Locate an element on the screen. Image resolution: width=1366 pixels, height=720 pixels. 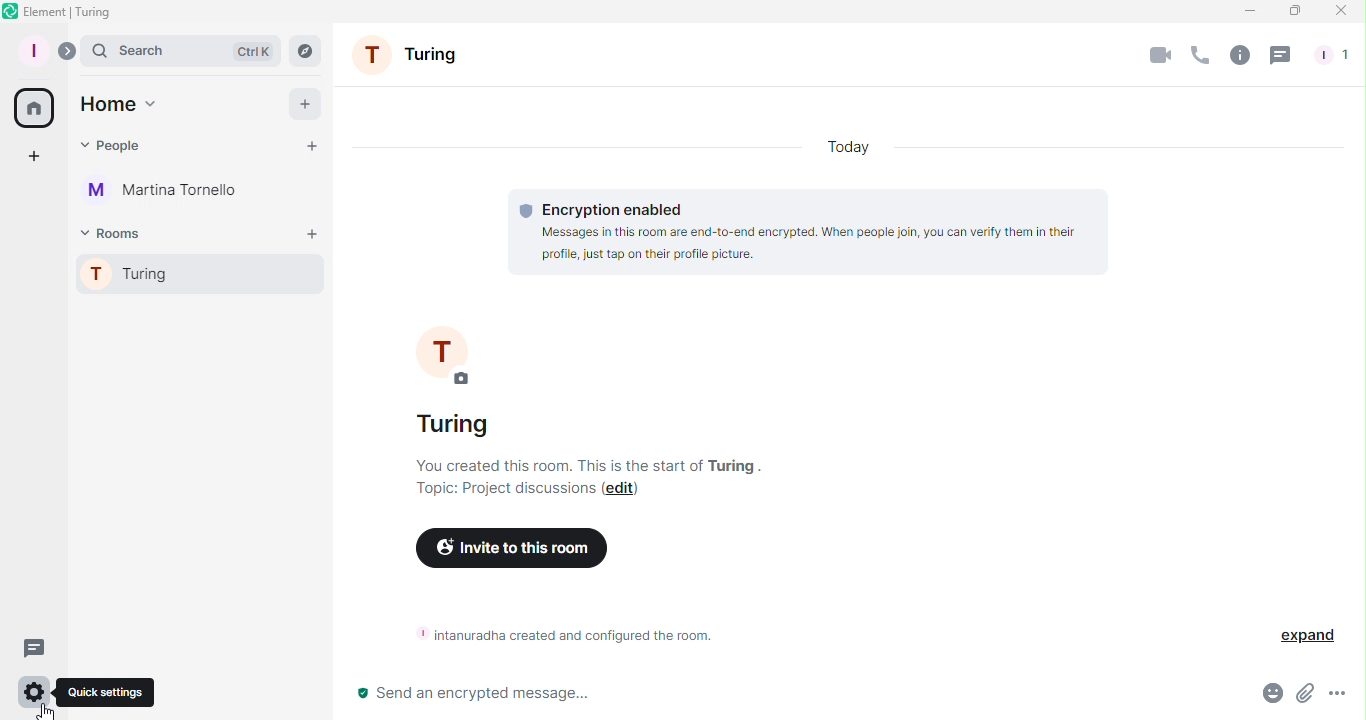
Quick Settings is located at coordinates (34, 695).